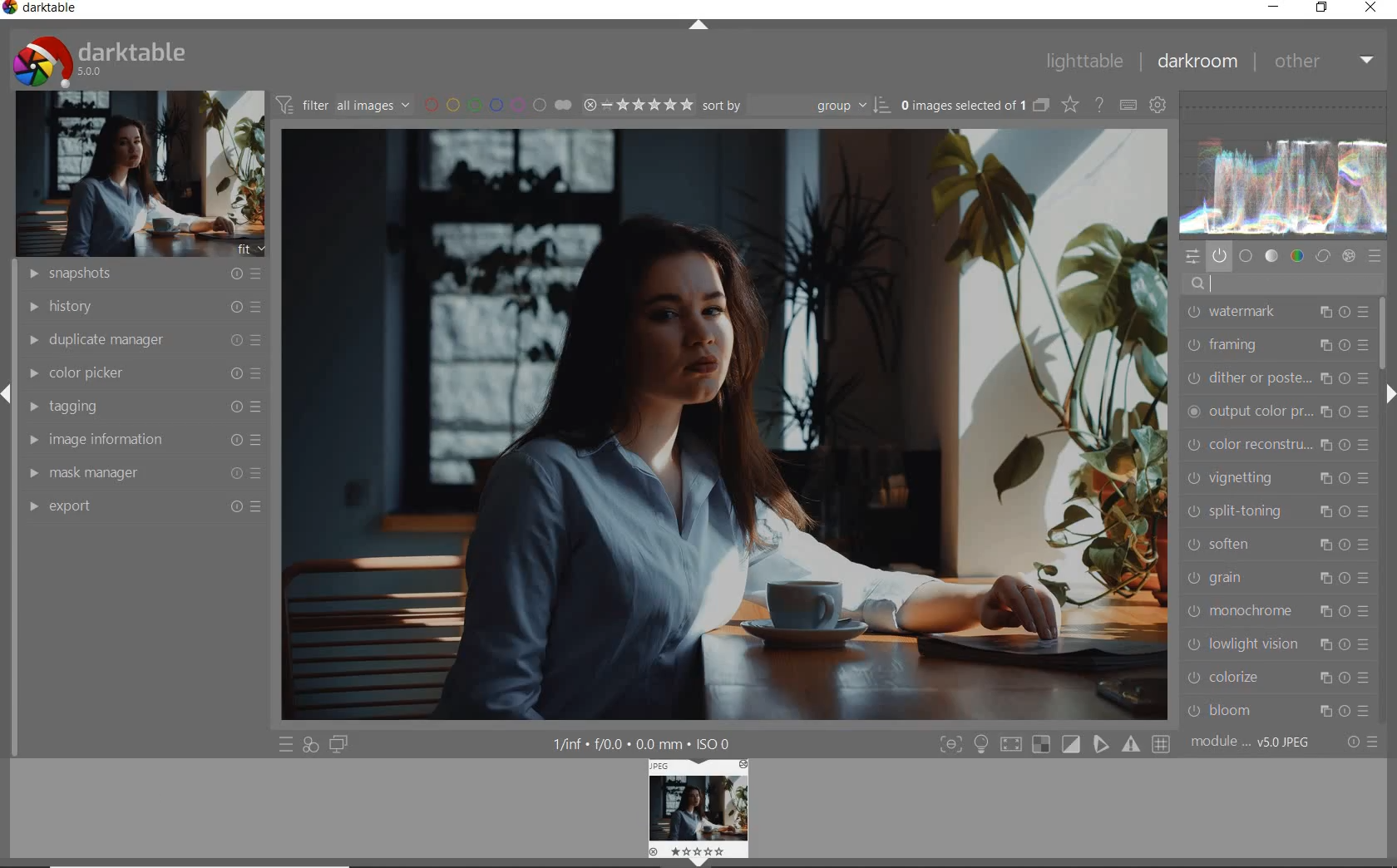 Image resolution: width=1397 pixels, height=868 pixels. I want to click on define keyboard shortcuts, so click(1128, 106).